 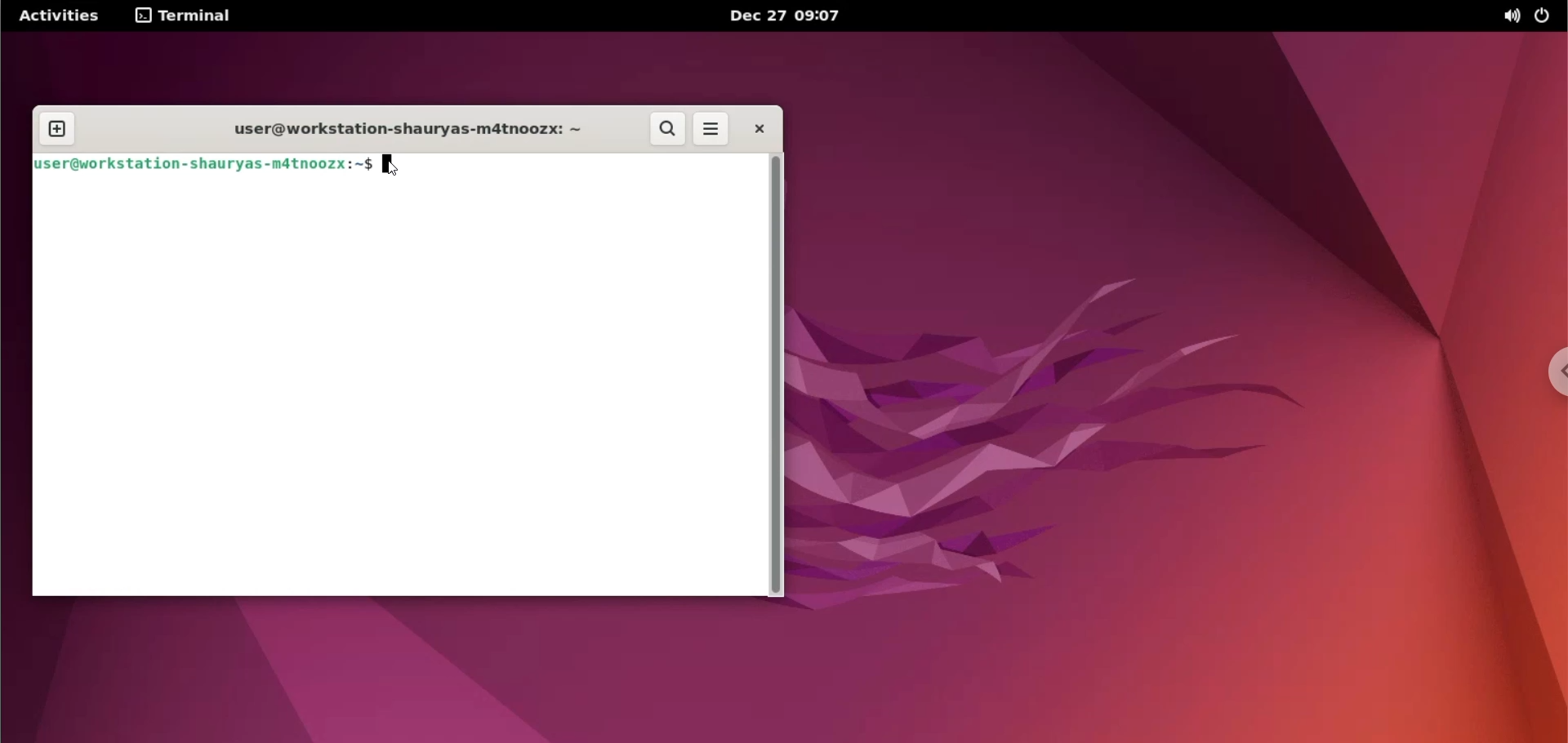 I want to click on mouse pointer, so click(x=391, y=168).